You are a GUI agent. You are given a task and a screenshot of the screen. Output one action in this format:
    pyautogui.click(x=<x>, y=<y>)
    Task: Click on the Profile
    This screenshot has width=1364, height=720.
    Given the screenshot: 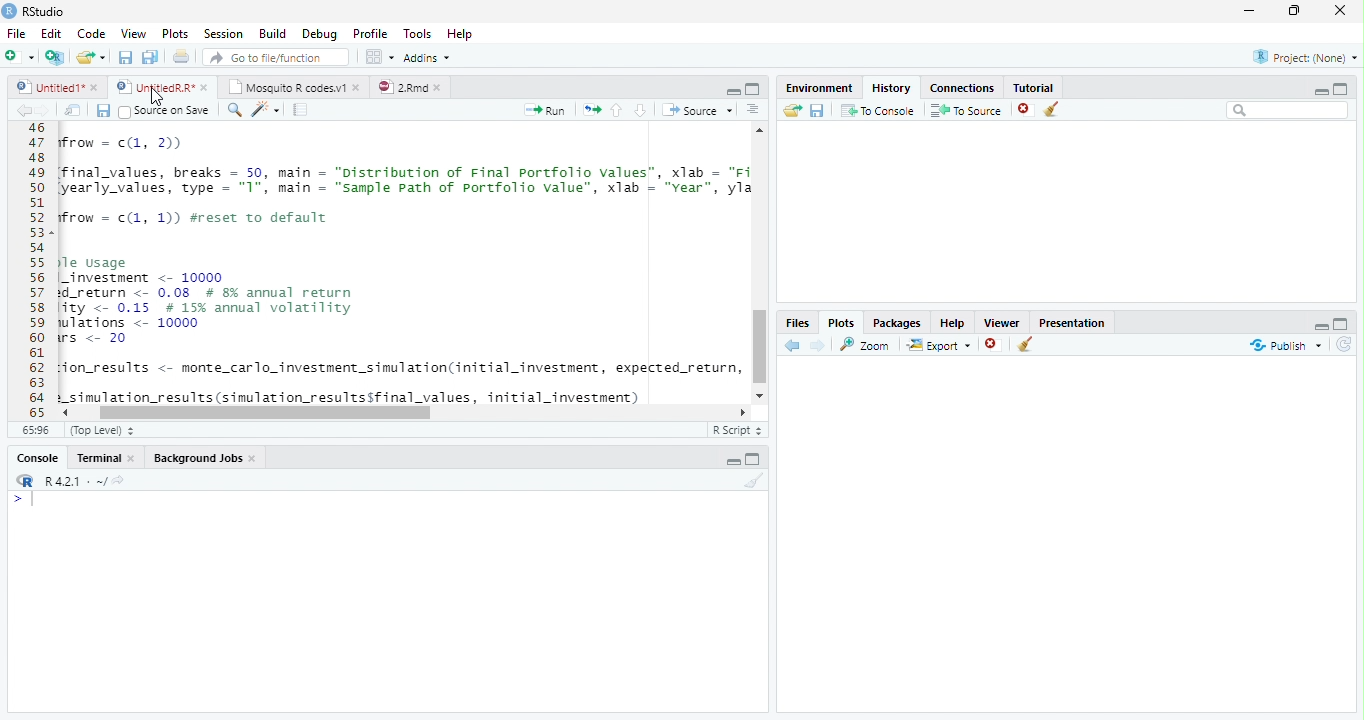 What is the action you would take?
    pyautogui.click(x=369, y=33)
    